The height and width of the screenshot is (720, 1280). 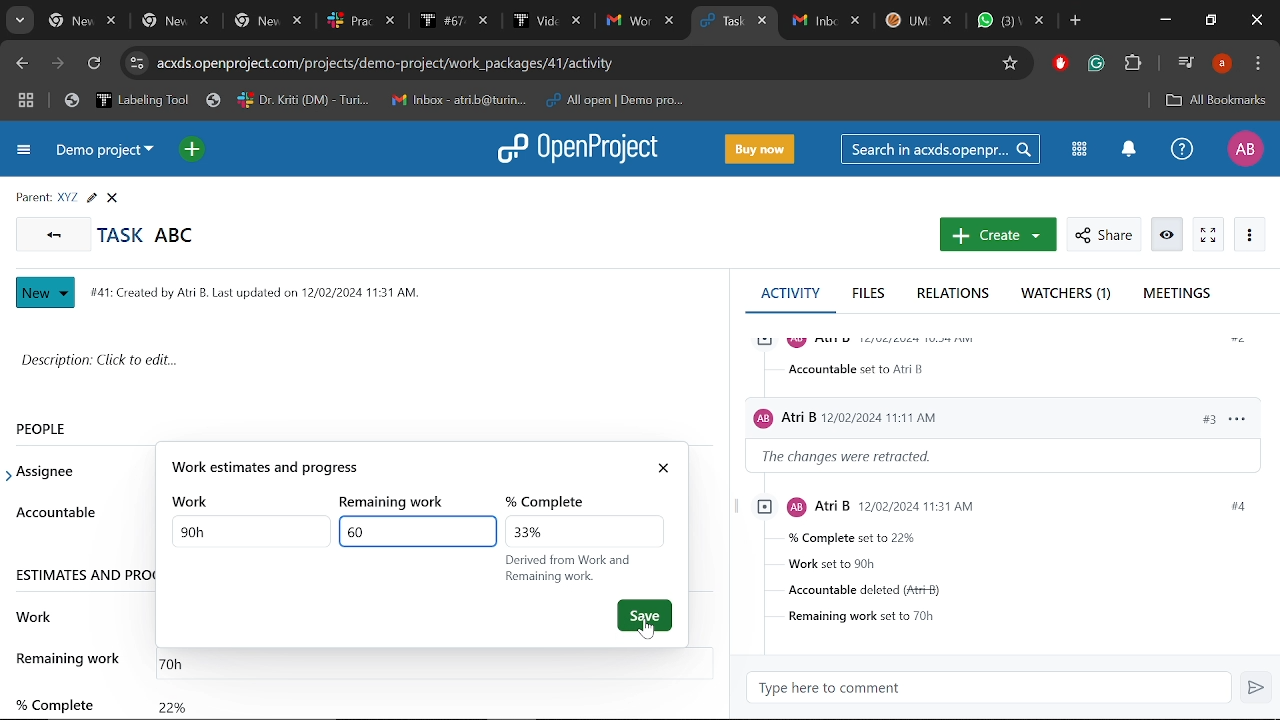 What do you see at coordinates (552, 503) in the screenshot?
I see `% complete` at bounding box center [552, 503].